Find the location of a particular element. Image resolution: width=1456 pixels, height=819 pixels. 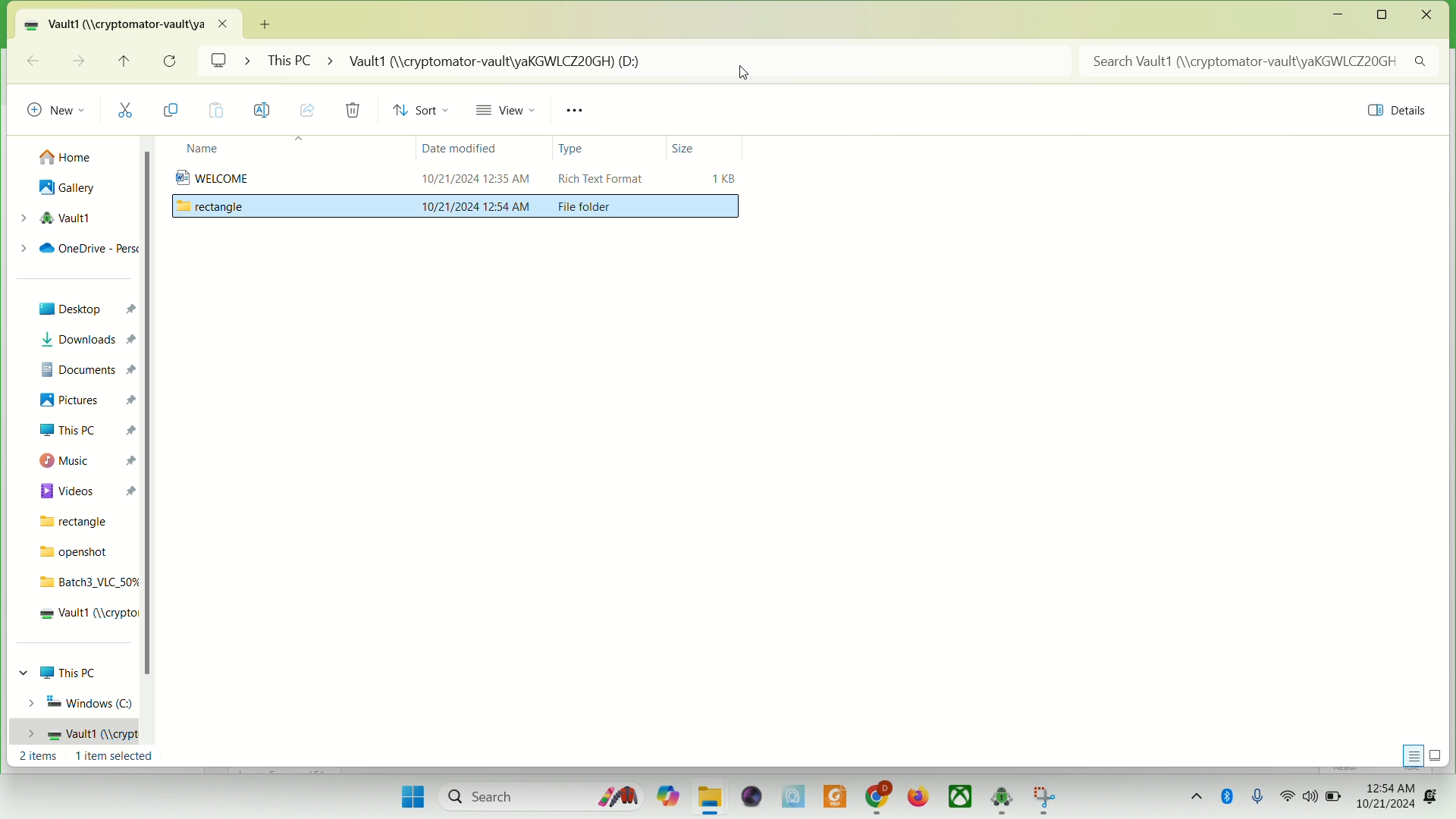

Desktop is located at coordinates (83, 310).